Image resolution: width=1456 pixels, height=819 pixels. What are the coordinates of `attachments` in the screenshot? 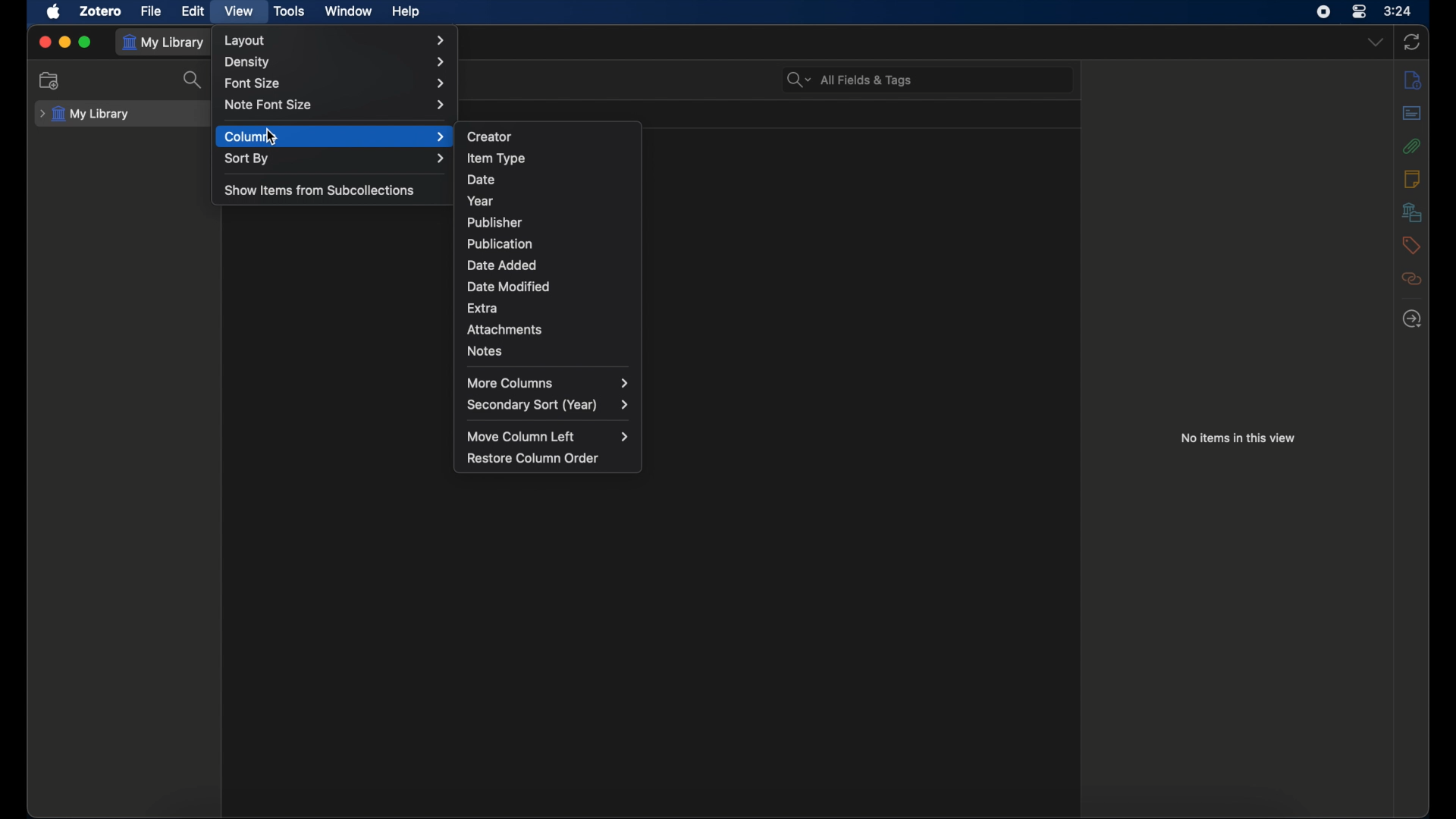 It's located at (1412, 146).